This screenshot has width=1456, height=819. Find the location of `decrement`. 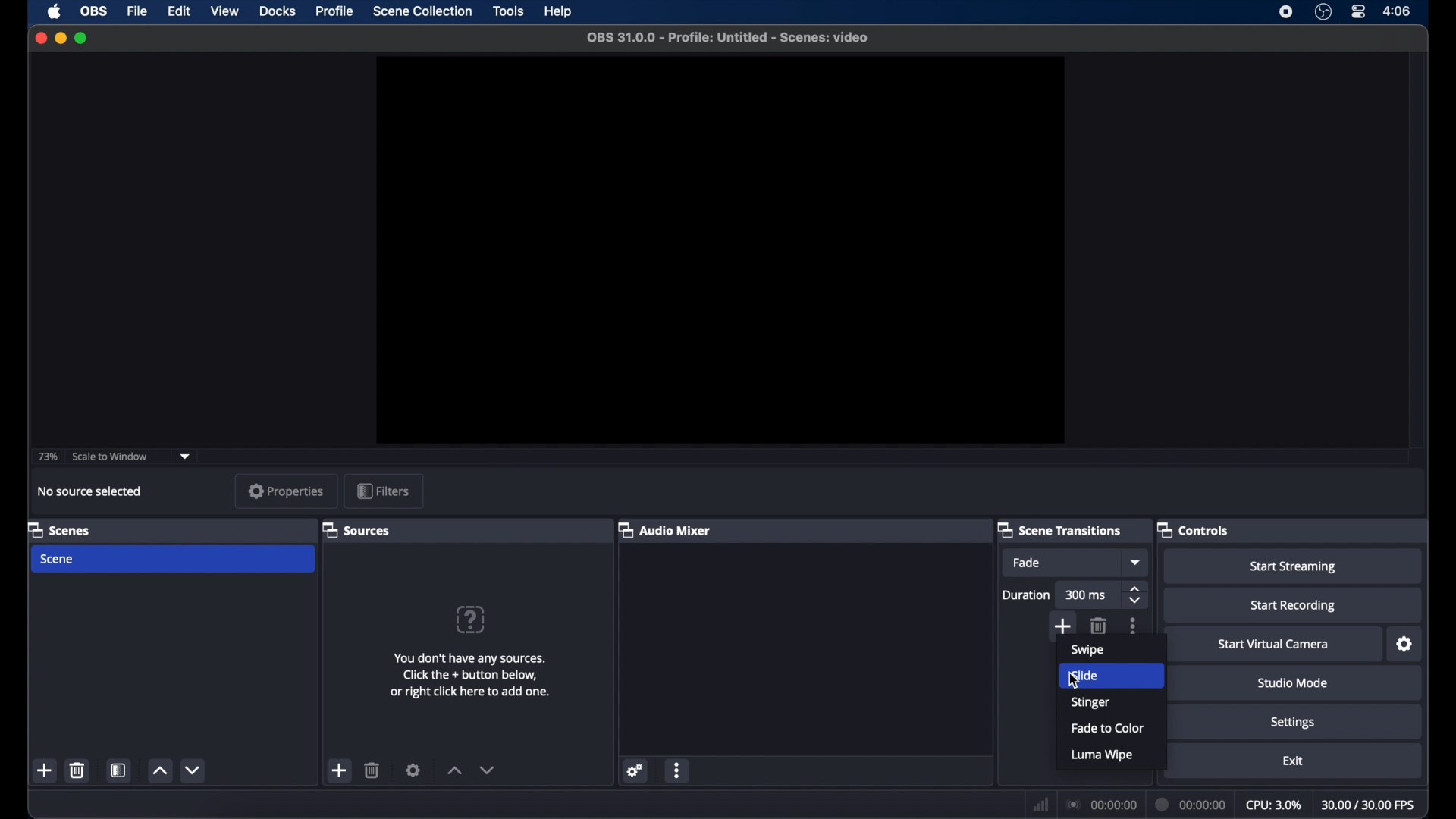

decrement is located at coordinates (488, 770).